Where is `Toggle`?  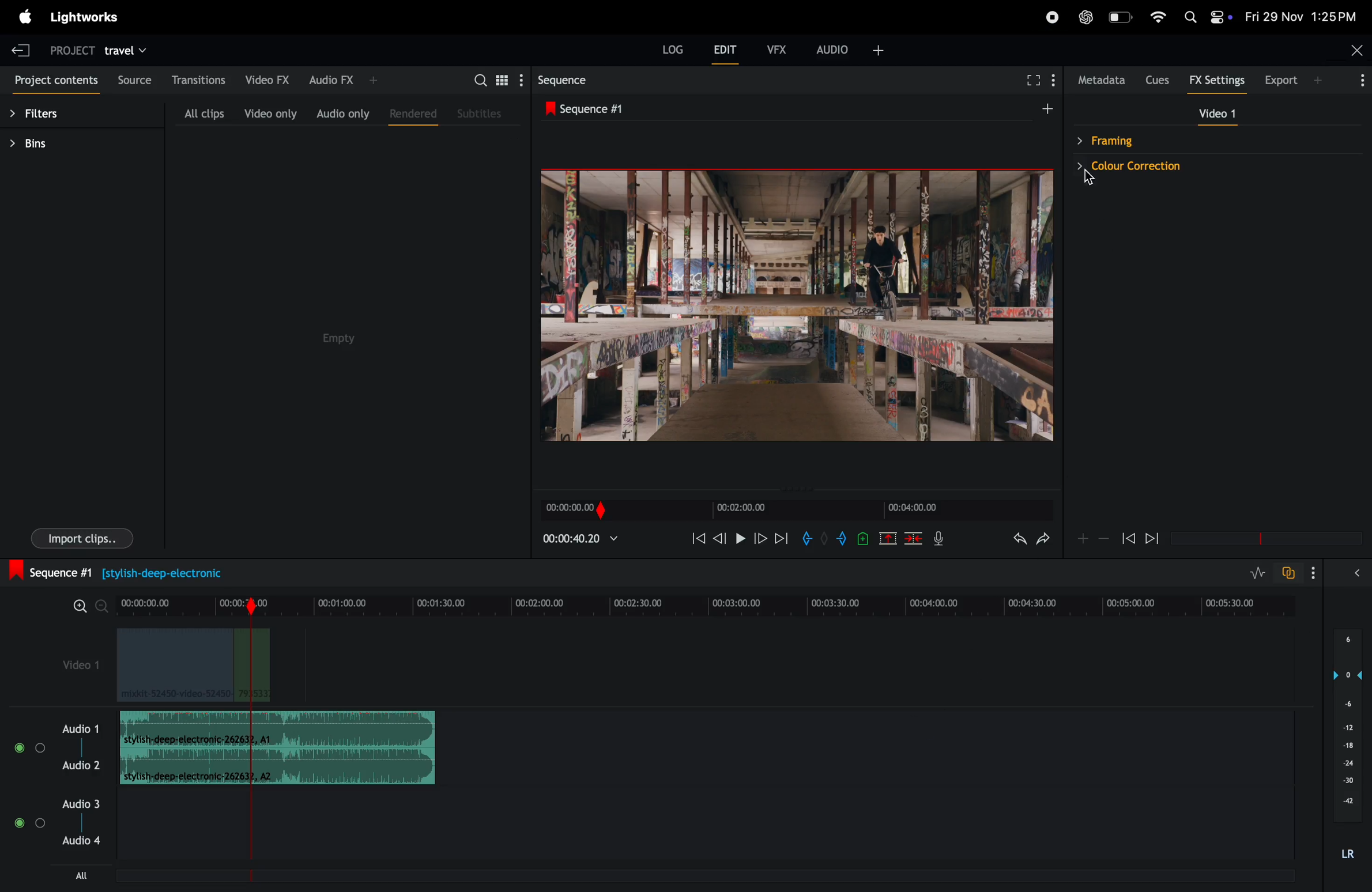 Toggle is located at coordinates (41, 824).